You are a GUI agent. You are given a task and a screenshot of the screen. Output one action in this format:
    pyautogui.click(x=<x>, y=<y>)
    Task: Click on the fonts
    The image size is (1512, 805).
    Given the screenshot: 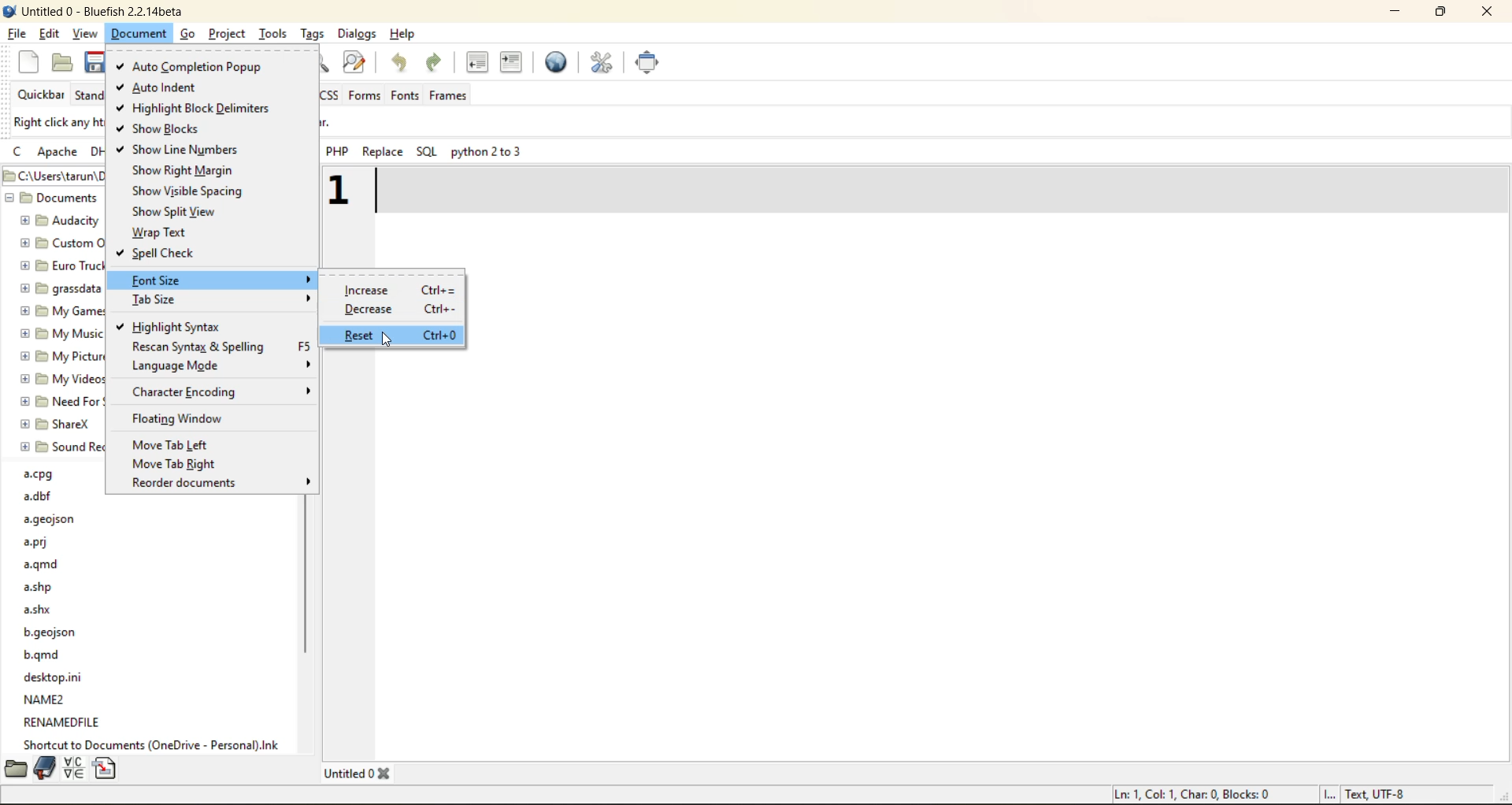 What is the action you would take?
    pyautogui.click(x=405, y=96)
    